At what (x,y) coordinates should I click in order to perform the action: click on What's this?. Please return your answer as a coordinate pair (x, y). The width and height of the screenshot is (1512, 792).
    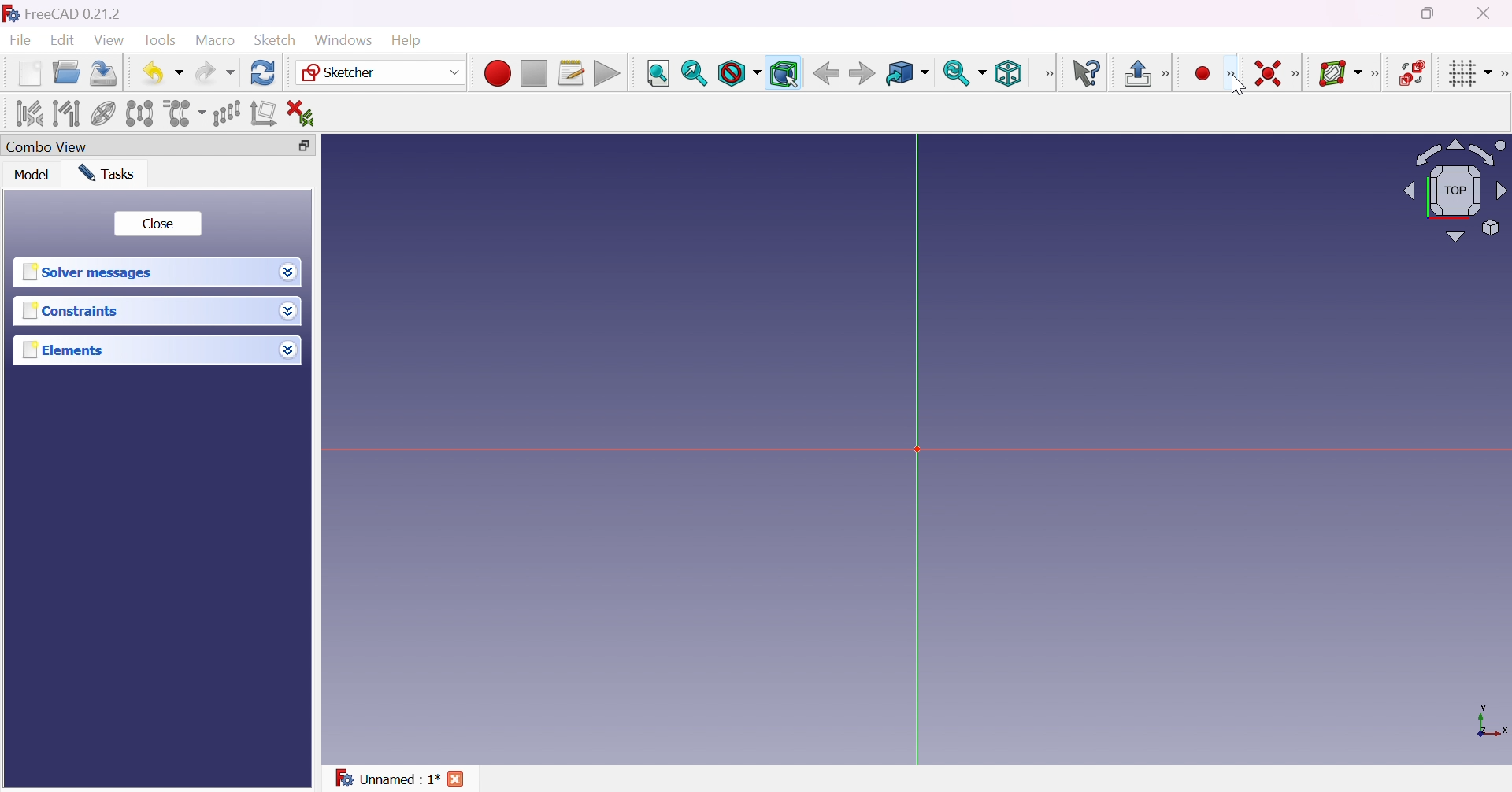
    Looking at the image, I should click on (1086, 72).